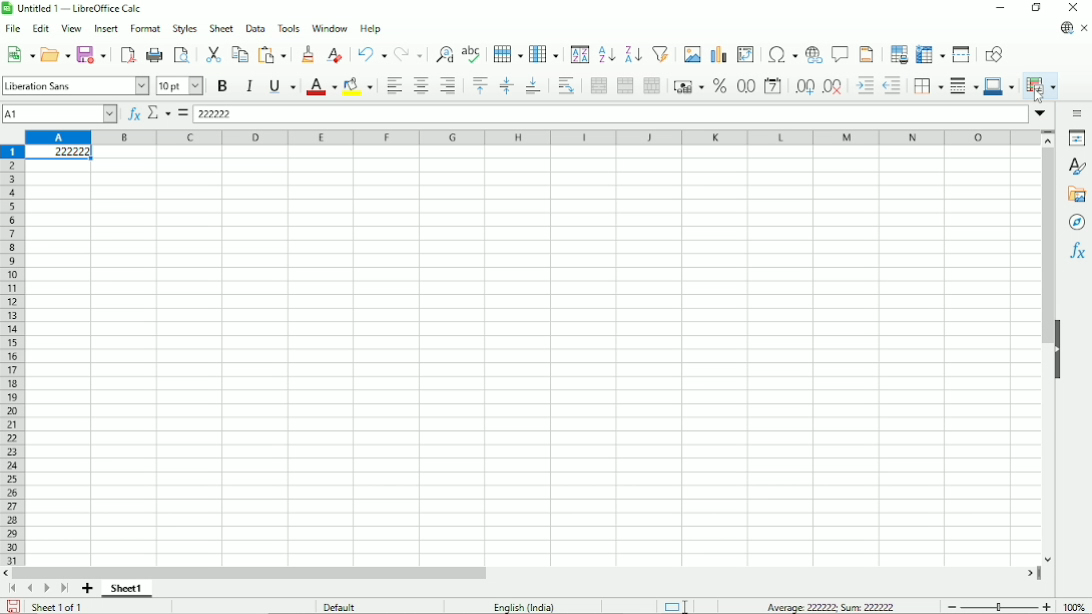 The image size is (1092, 614). What do you see at coordinates (128, 588) in the screenshot?
I see `Sheet 1` at bounding box center [128, 588].